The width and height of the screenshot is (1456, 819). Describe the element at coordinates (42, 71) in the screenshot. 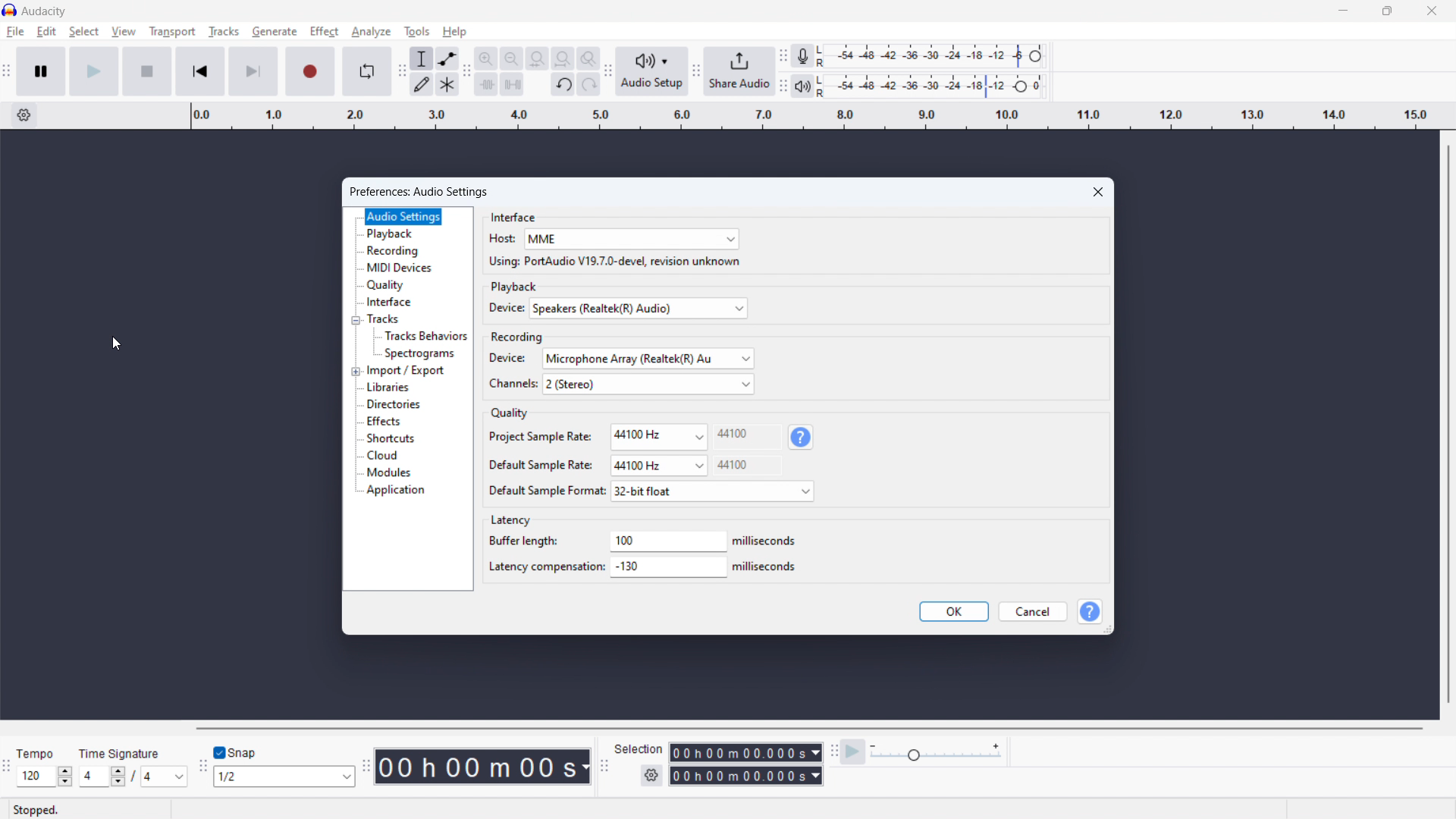

I see `pause` at that location.